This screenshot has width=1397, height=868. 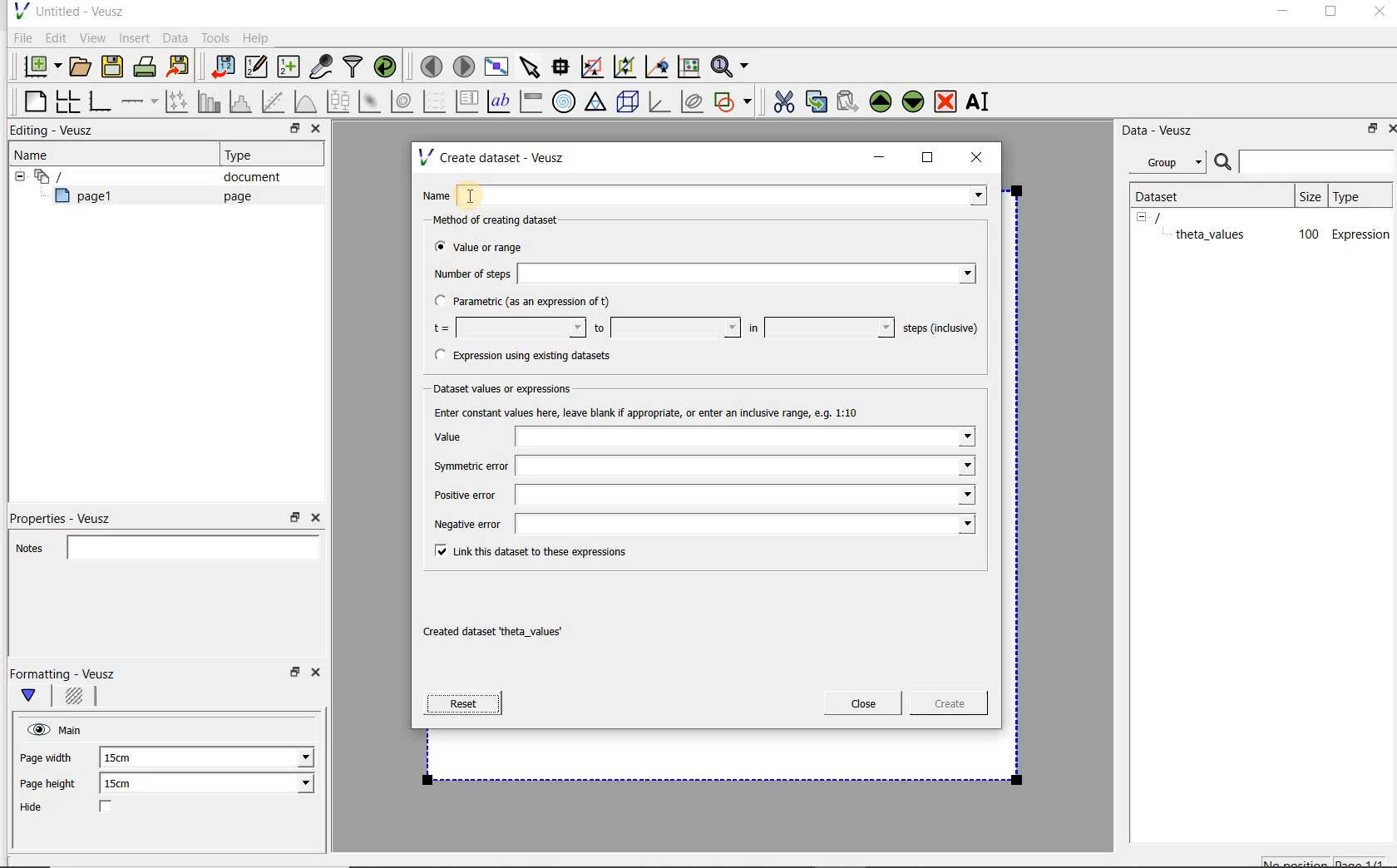 What do you see at coordinates (126, 758) in the screenshot?
I see `15cm` at bounding box center [126, 758].